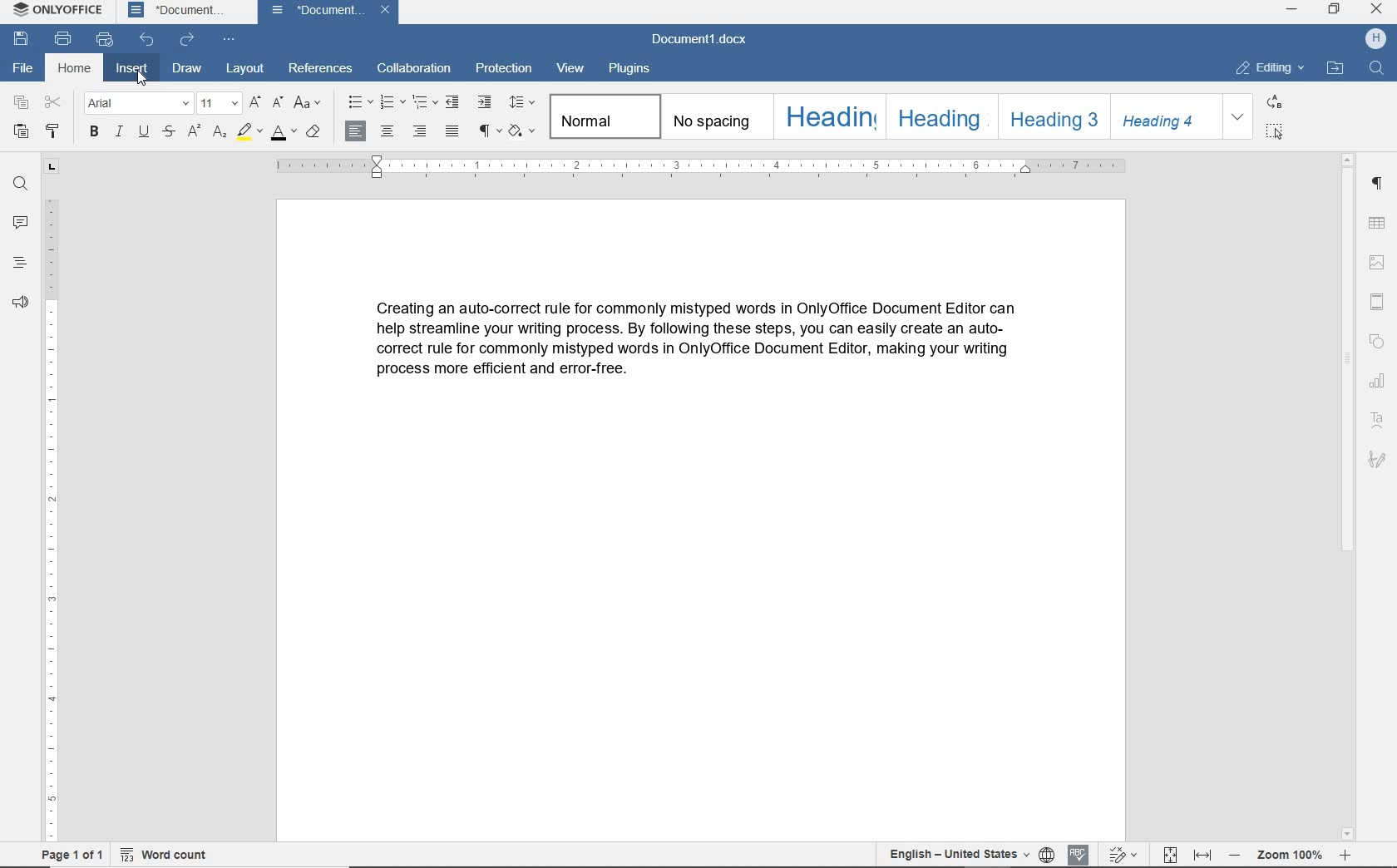 The image size is (1397, 868). Describe the element at coordinates (95, 132) in the screenshot. I see `bold` at that location.